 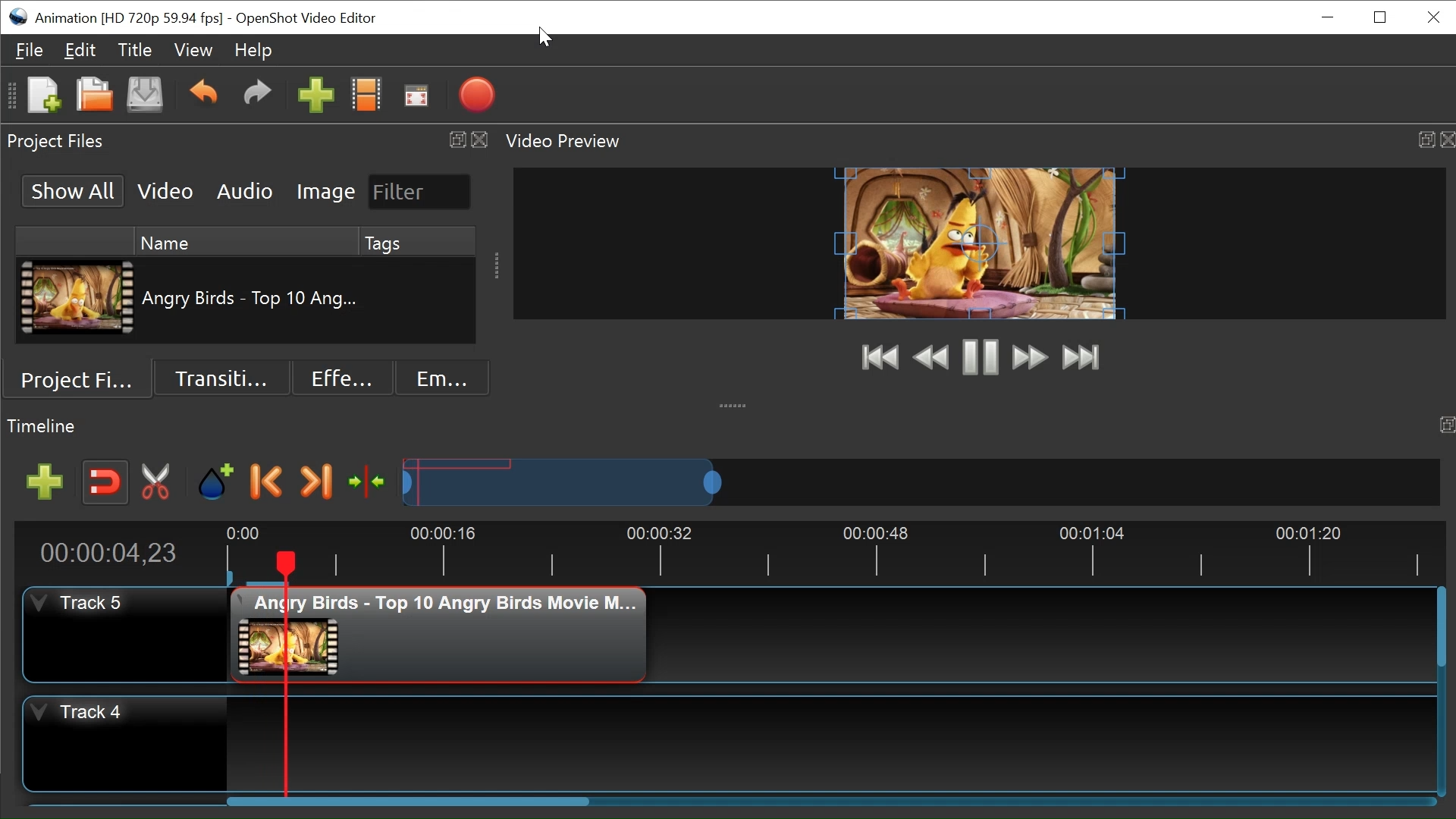 What do you see at coordinates (17, 17) in the screenshot?
I see `OpenShot Desktop icon` at bounding box center [17, 17].